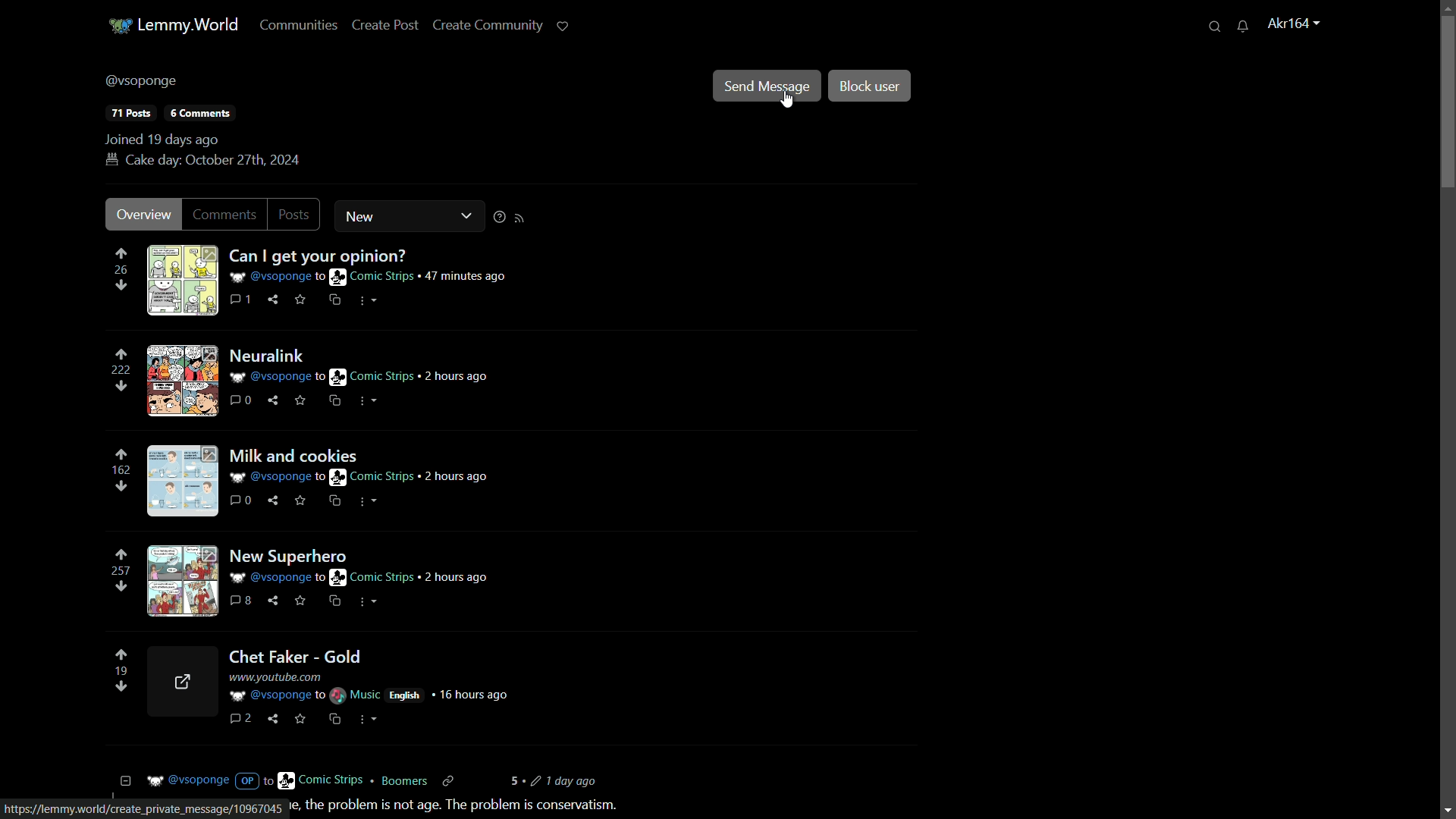 This screenshot has width=1456, height=819. I want to click on post details, so click(491, 478).